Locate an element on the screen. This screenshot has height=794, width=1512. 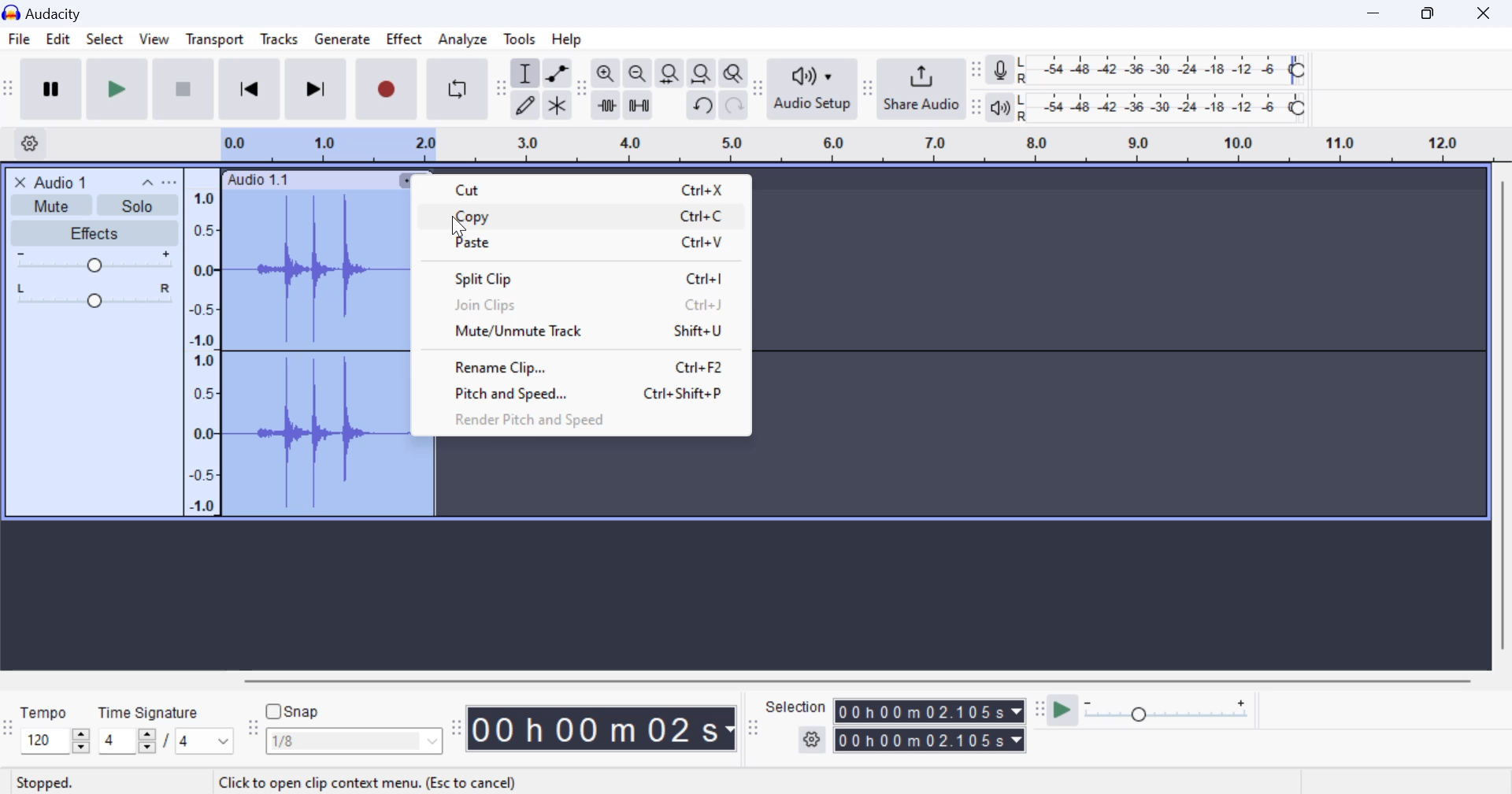
Window Title is located at coordinates (50, 13).